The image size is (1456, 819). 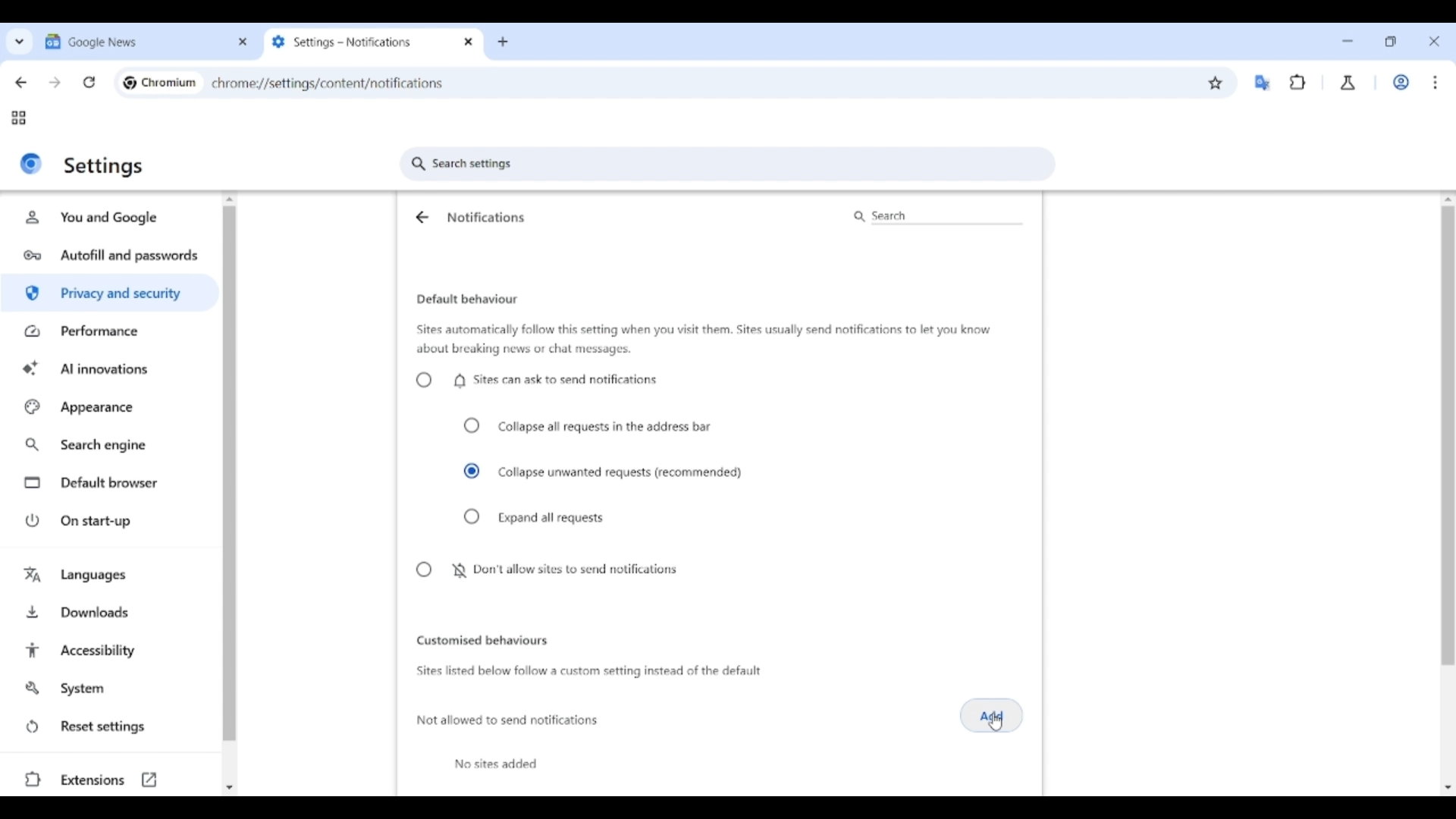 I want to click on Search notifications, so click(x=936, y=216).